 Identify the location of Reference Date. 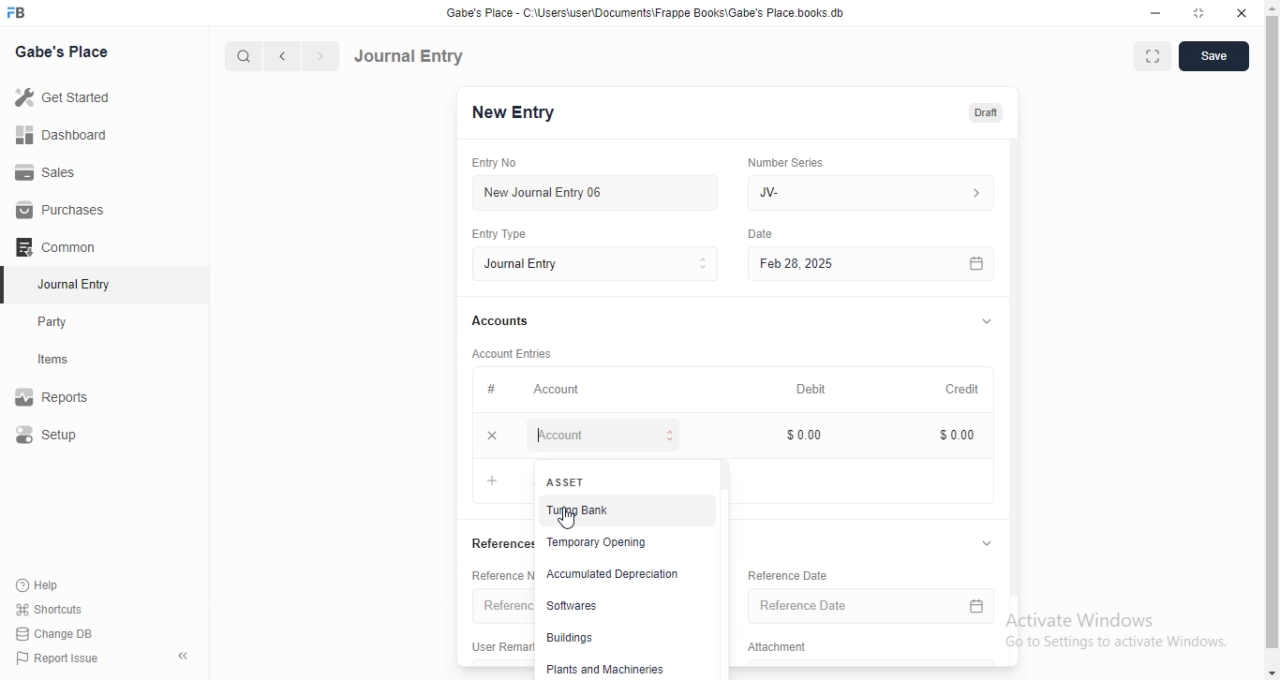
(806, 574).